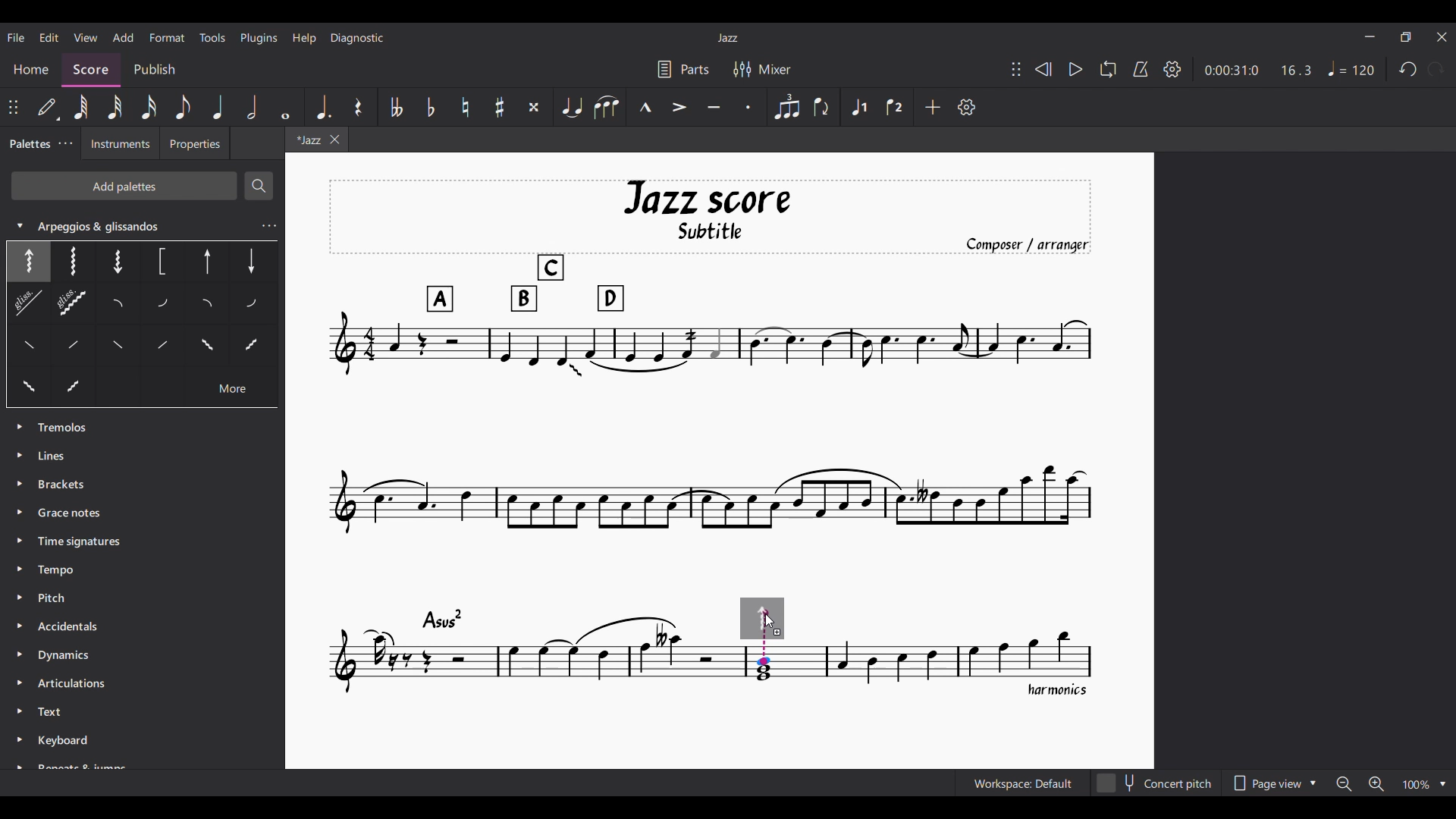 The image size is (1456, 819). What do you see at coordinates (63, 485) in the screenshot?
I see `Brackets` at bounding box center [63, 485].